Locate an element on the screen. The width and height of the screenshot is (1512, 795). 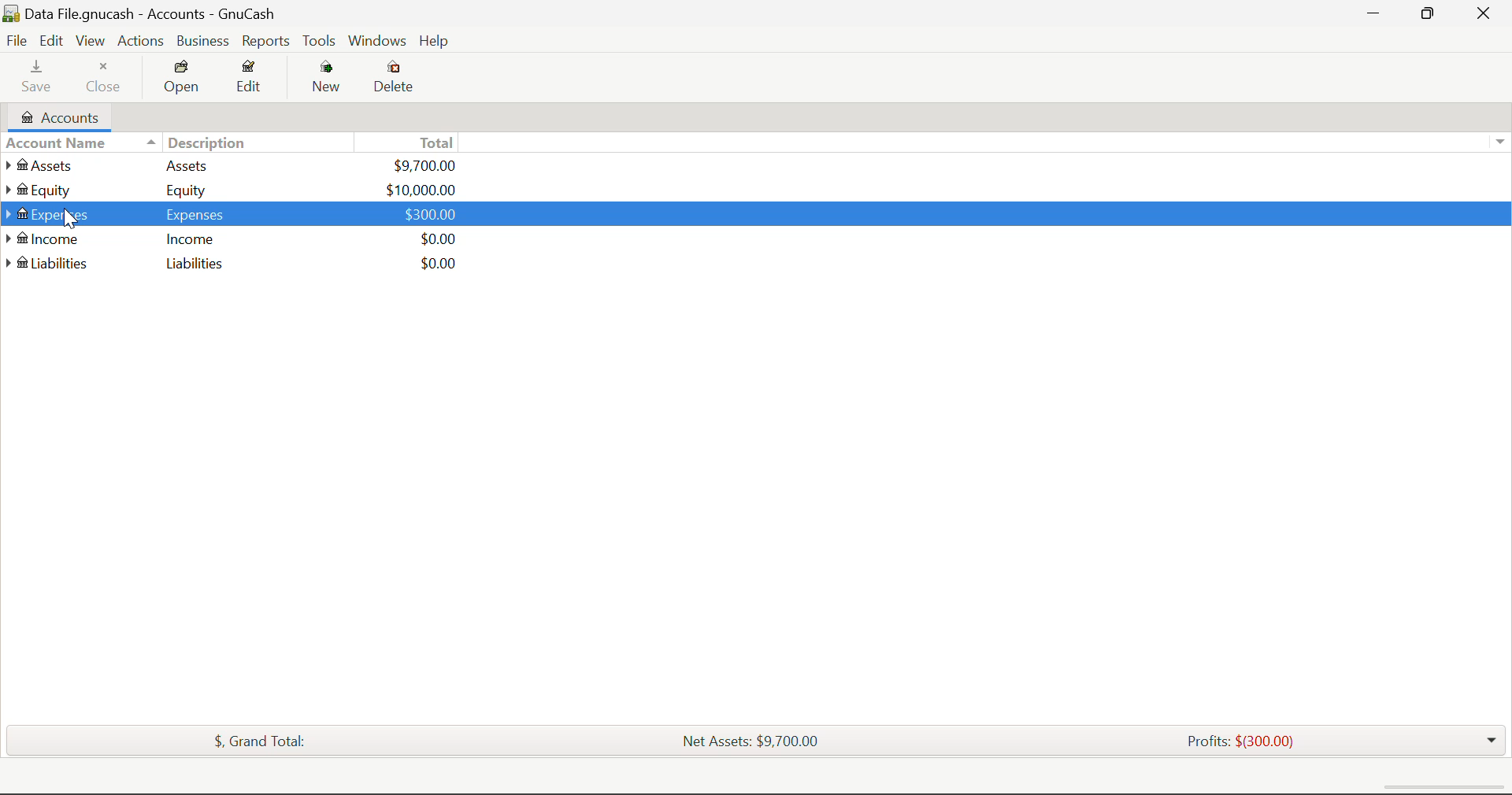
Accounts is located at coordinates (57, 117).